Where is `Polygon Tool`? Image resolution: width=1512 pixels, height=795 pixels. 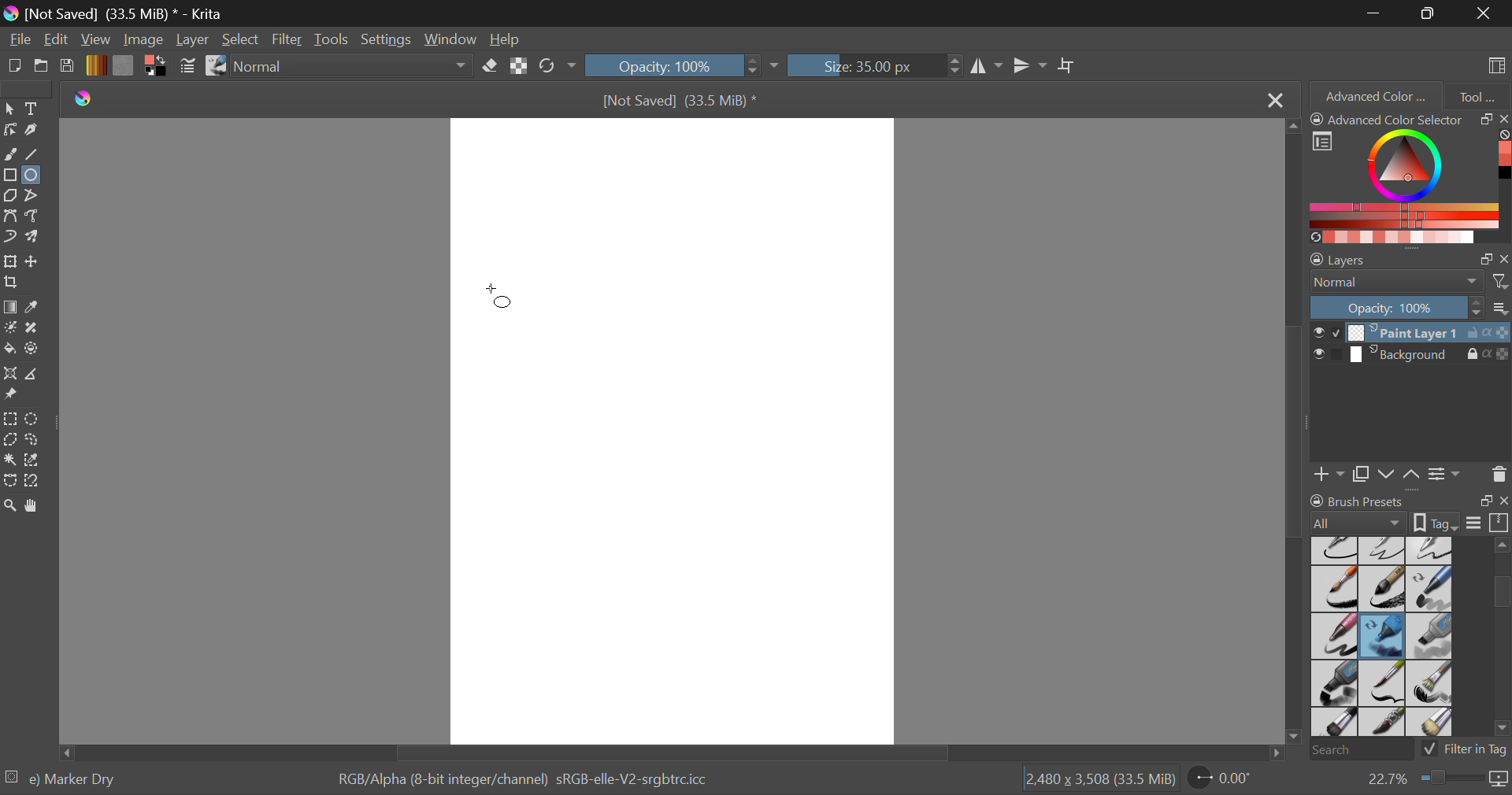
Polygon Tool is located at coordinates (9, 196).